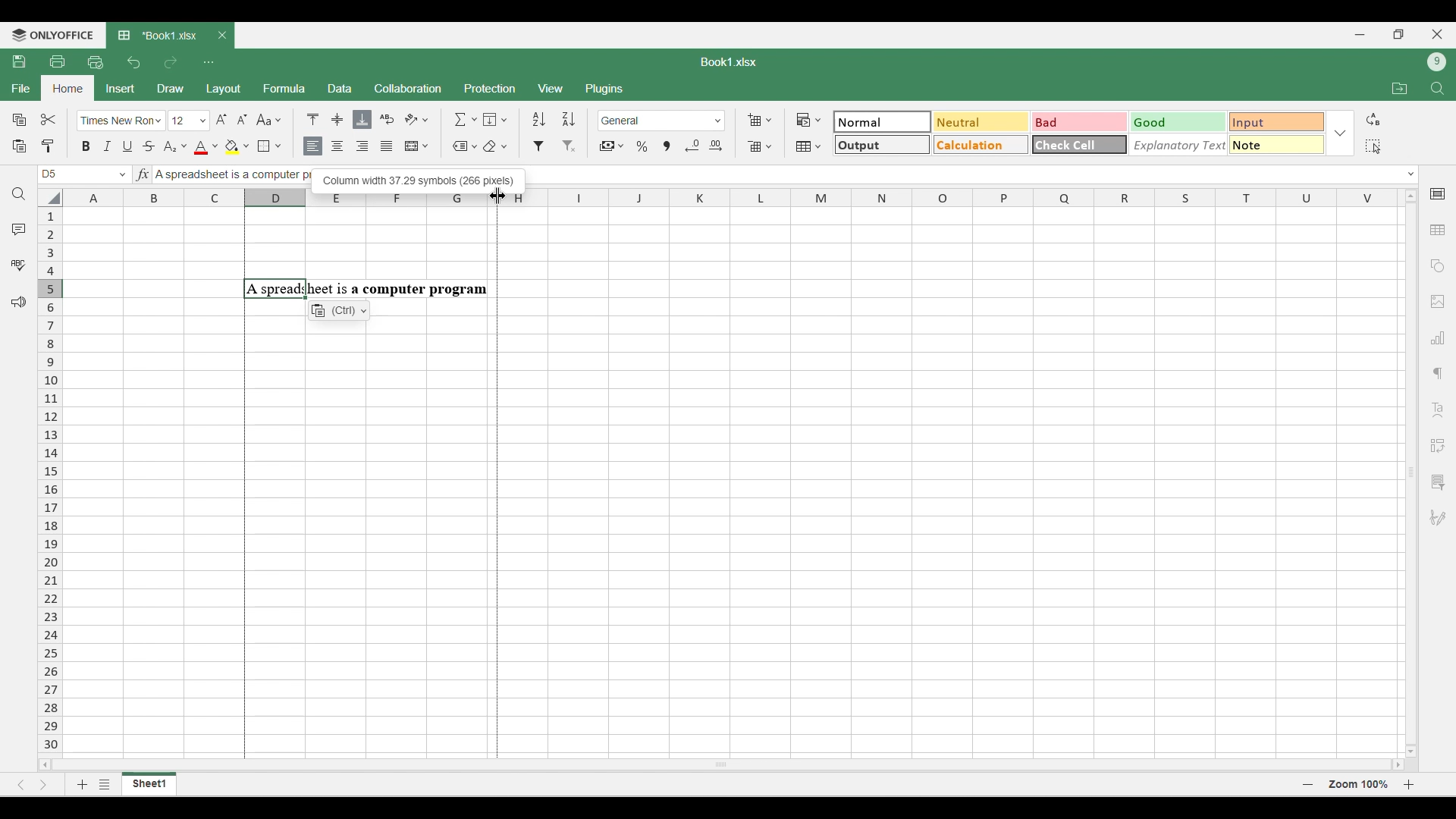 The height and width of the screenshot is (819, 1456). I want to click on Bold, so click(86, 146).